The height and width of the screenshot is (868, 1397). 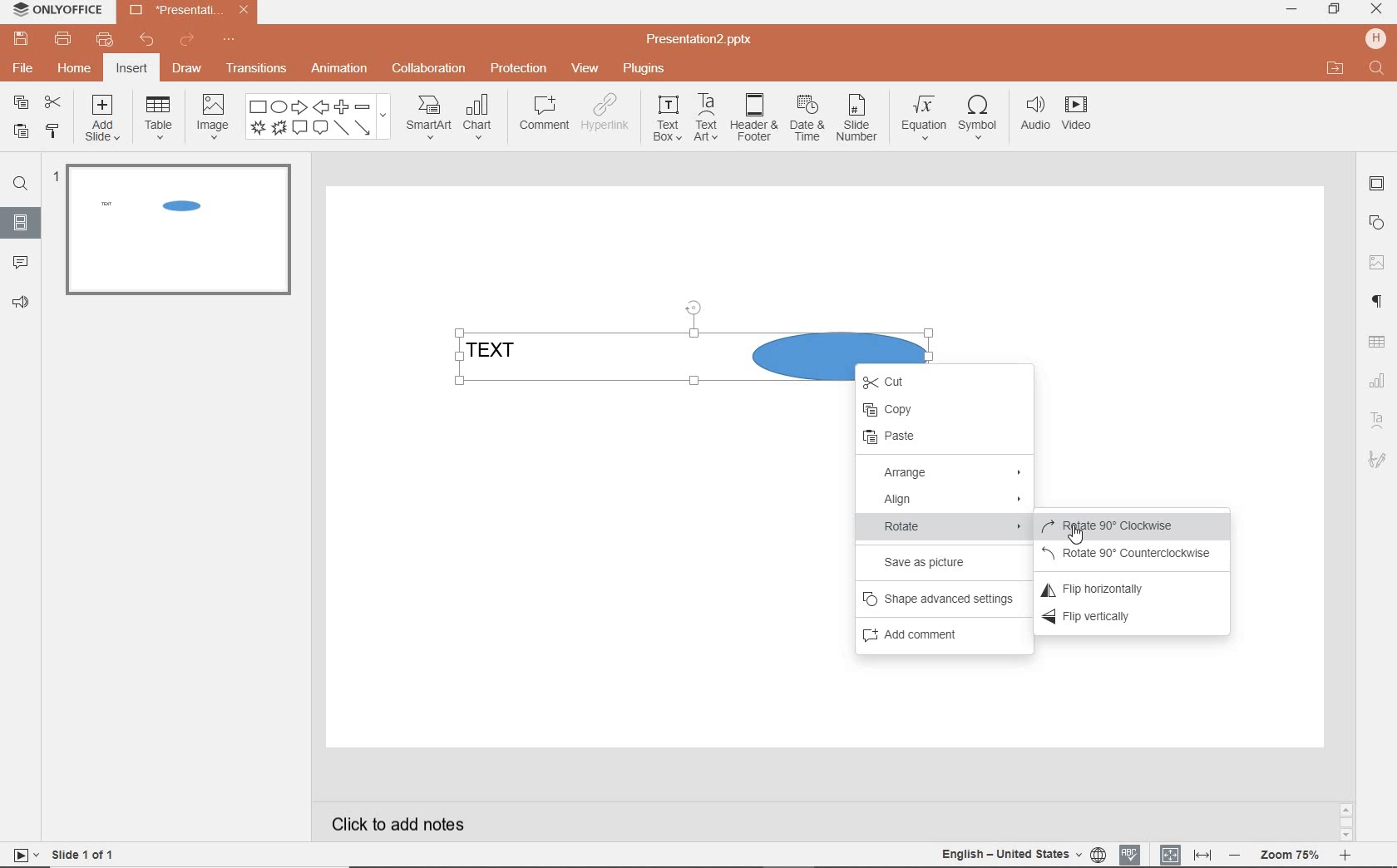 I want to click on audio, so click(x=1032, y=117).